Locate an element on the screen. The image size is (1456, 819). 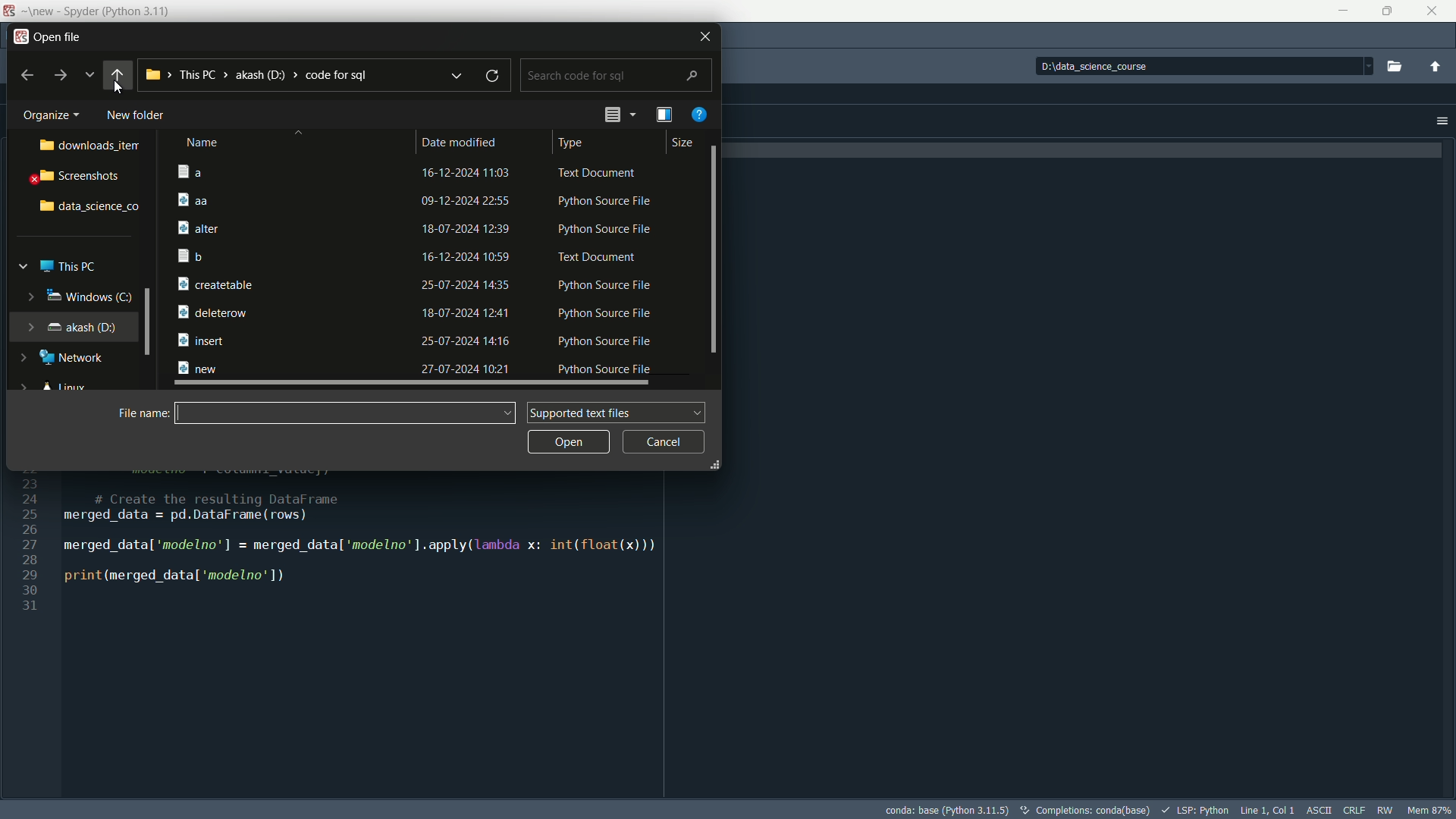
Network  is located at coordinates (75, 357).